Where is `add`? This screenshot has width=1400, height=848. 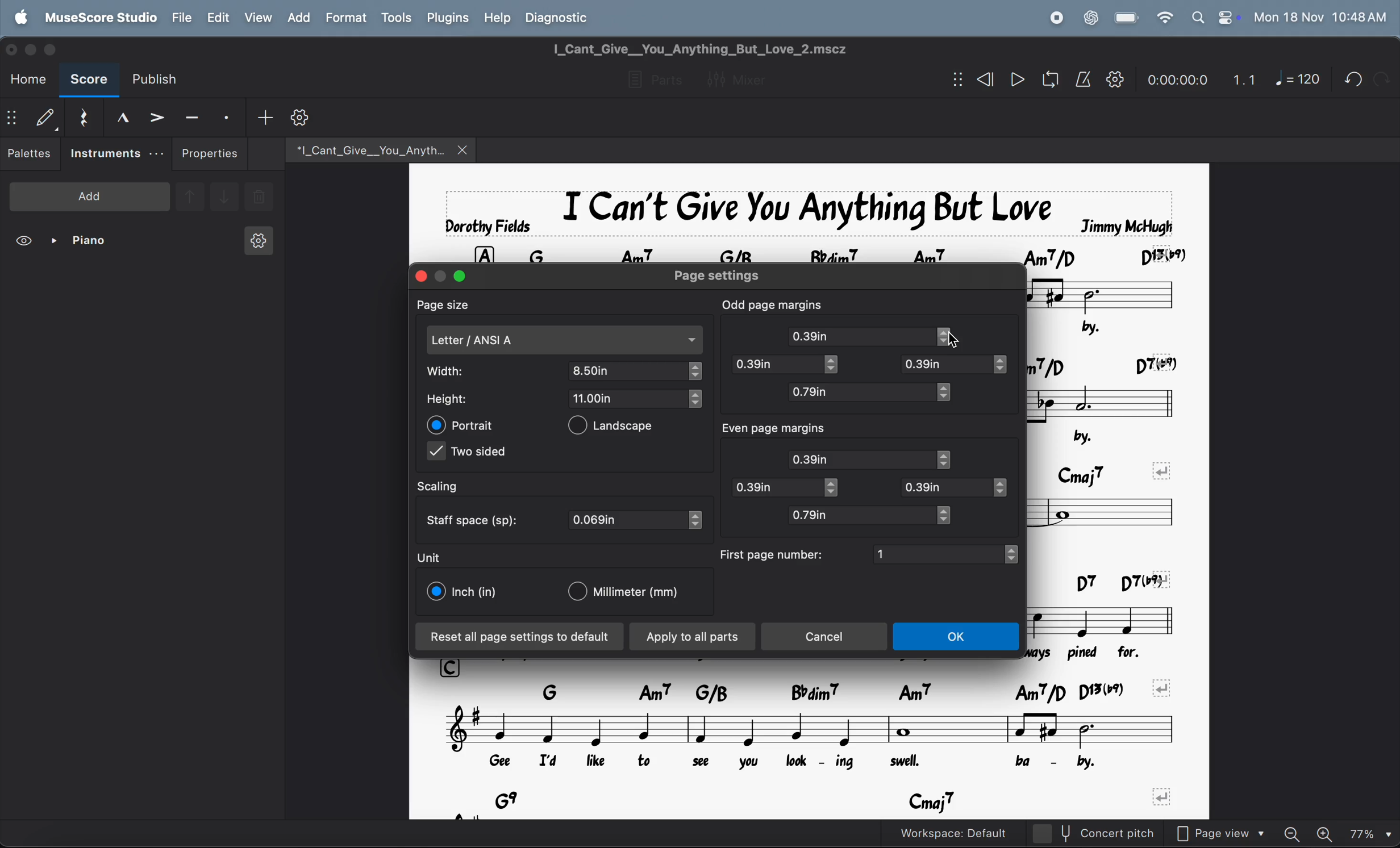 add is located at coordinates (298, 17).